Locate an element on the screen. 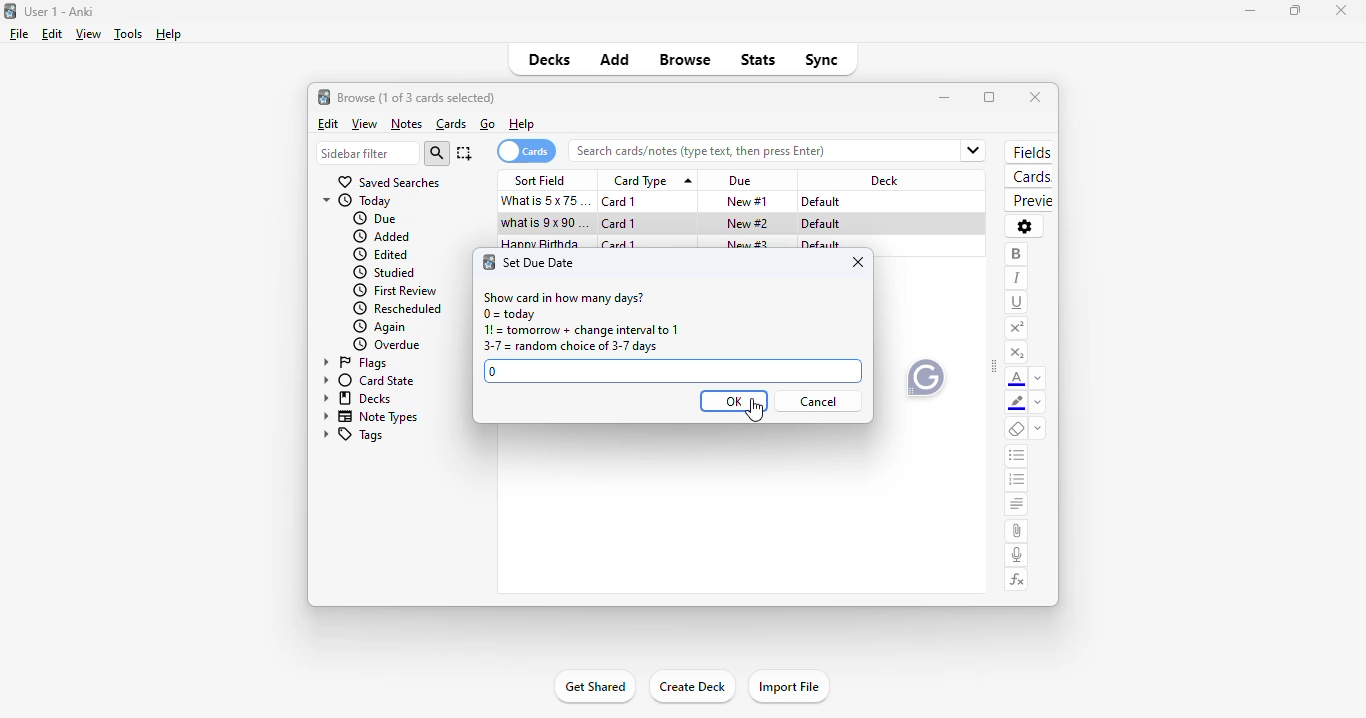 This screenshot has height=718, width=1366. cards is located at coordinates (452, 125).